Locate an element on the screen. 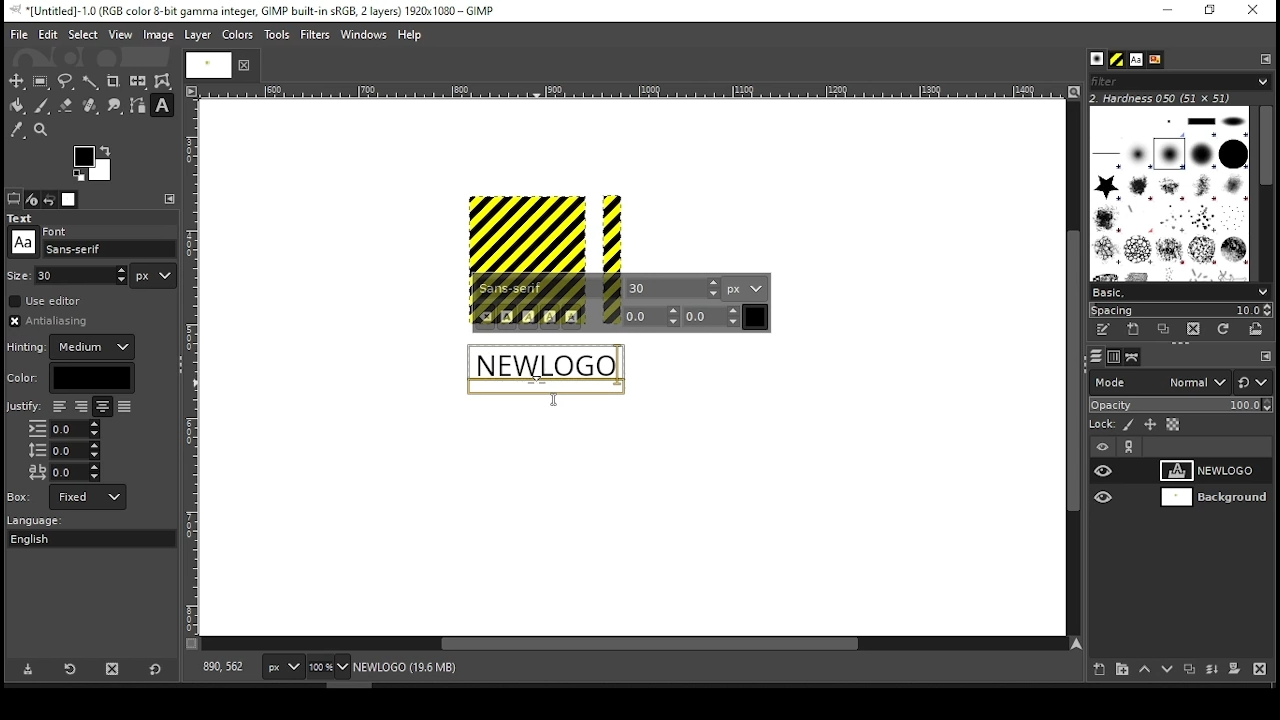 This screenshot has height=720, width=1280. select brush preset is located at coordinates (1182, 291).